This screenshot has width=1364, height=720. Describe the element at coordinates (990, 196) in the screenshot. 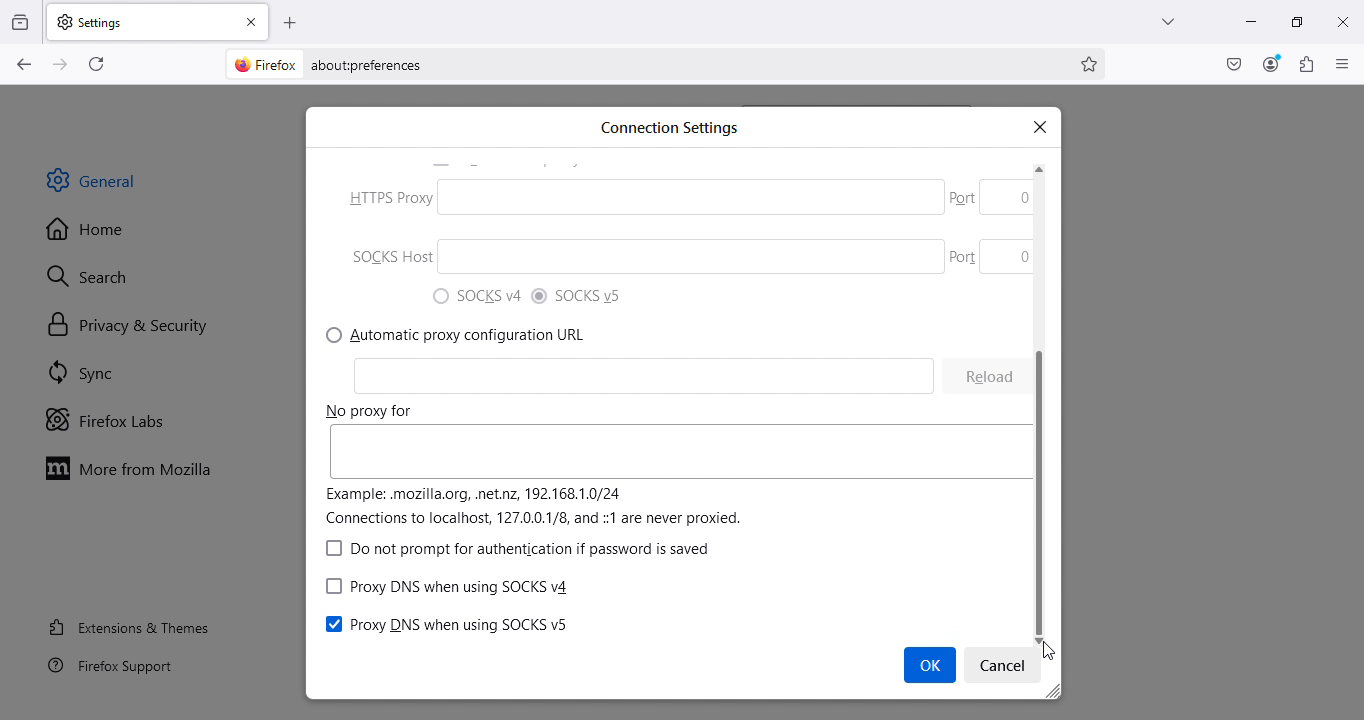

I see `` at that location.